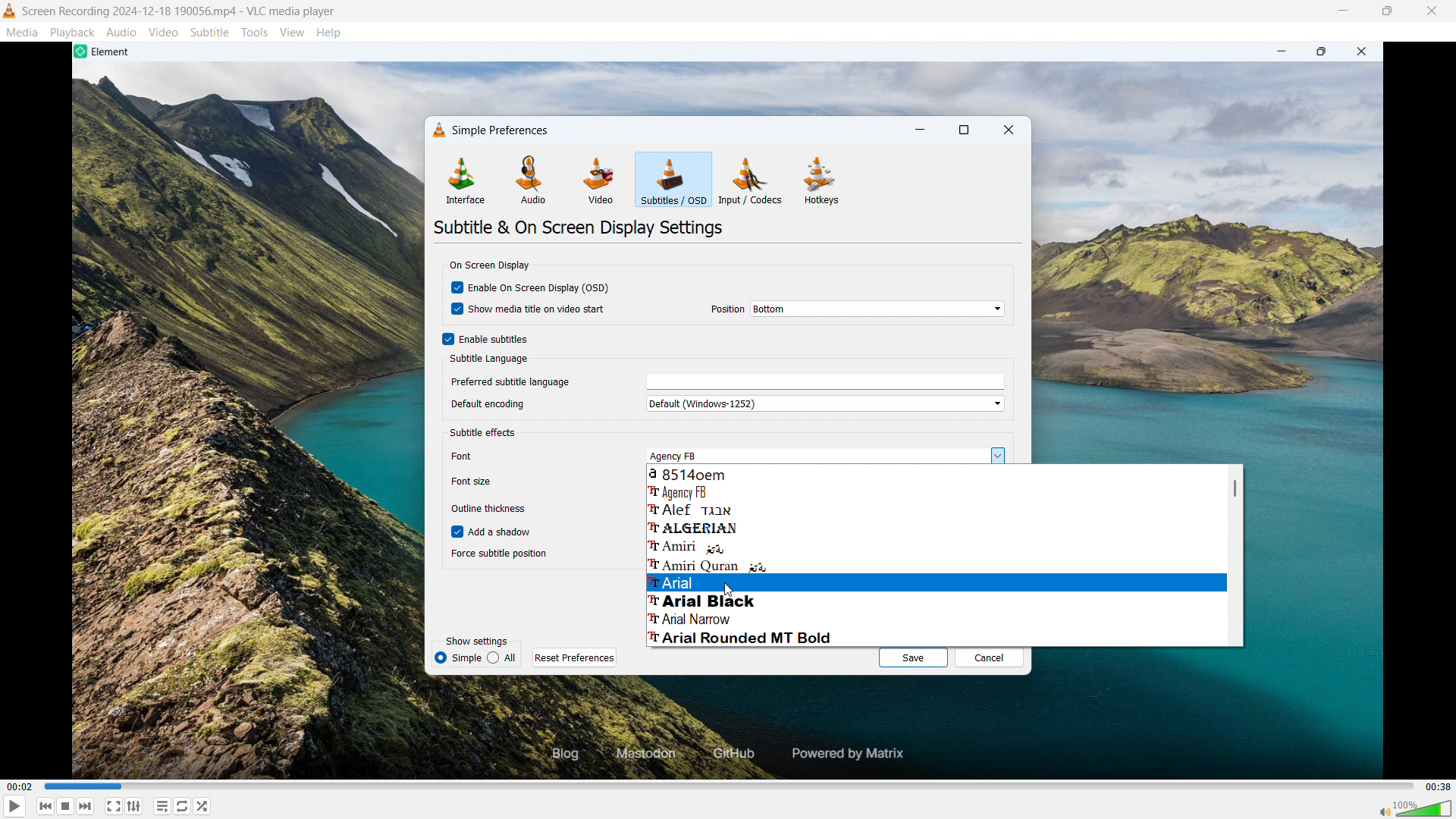 The height and width of the screenshot is (819, 1456). Describe the element at coordinates (114, 806) in the screenshot. I see `full screen` at that location.